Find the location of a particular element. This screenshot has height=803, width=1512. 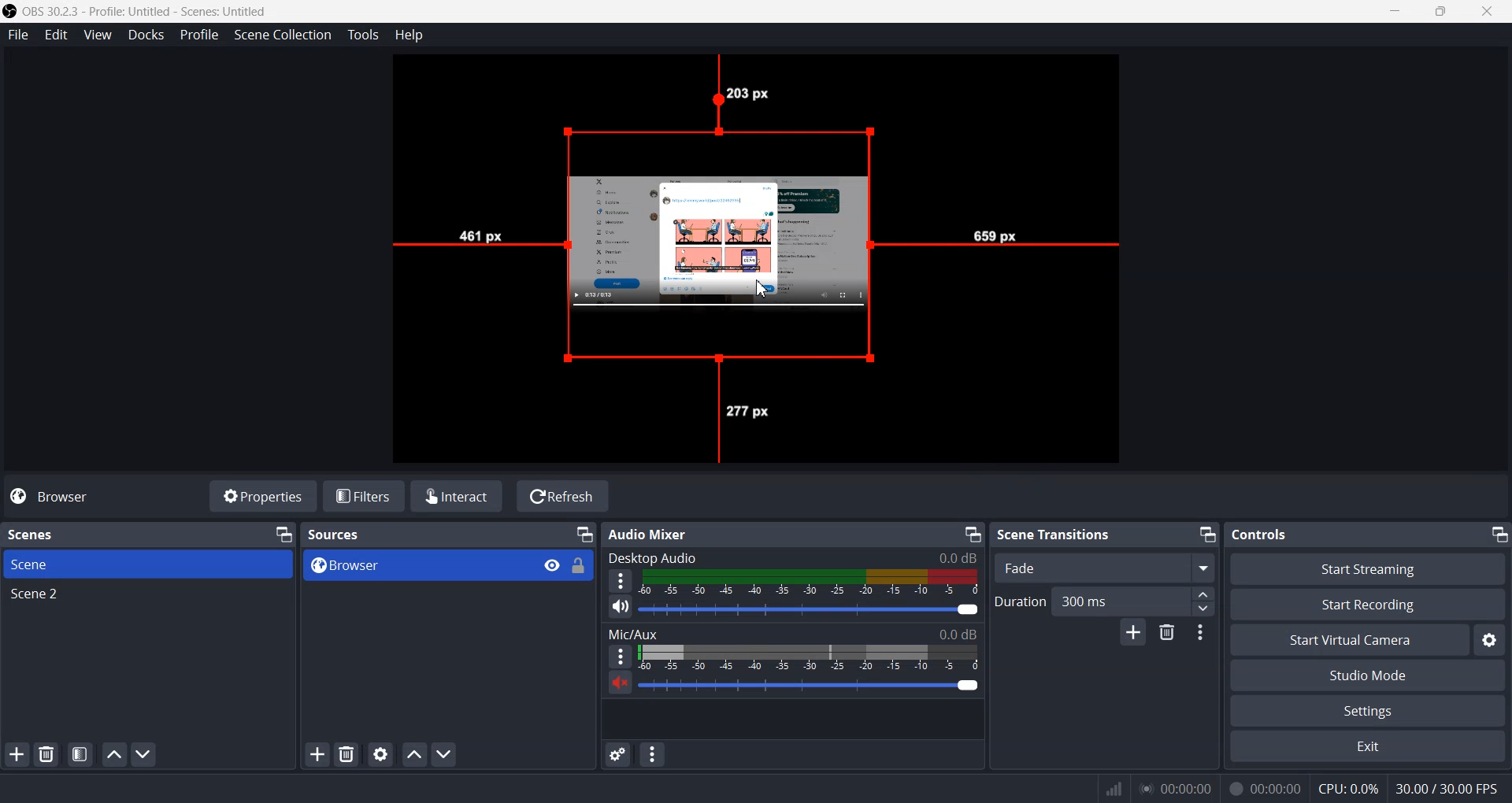

CPU: 0.0% is located at coordinates (1342, 787).